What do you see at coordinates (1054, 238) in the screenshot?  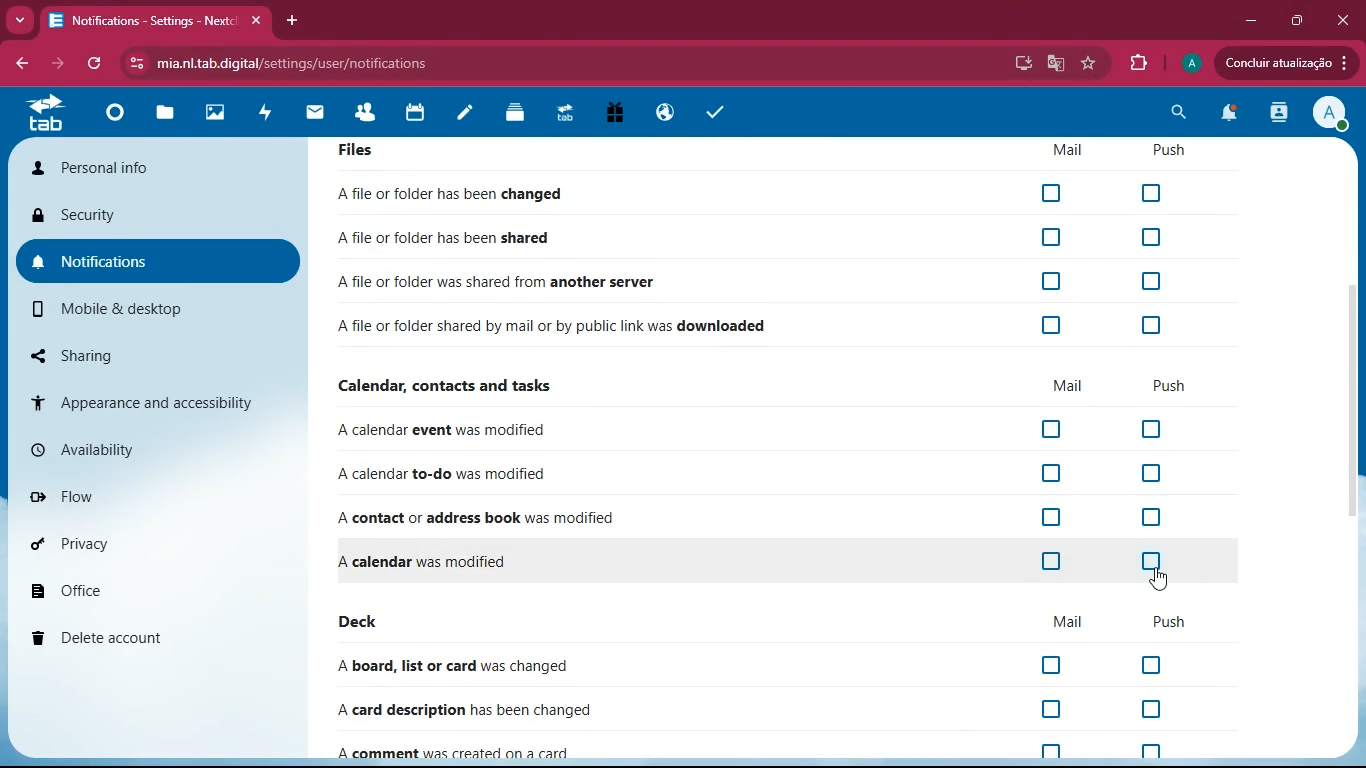 I see `Checkbox` at bounding box center [1054, 238].